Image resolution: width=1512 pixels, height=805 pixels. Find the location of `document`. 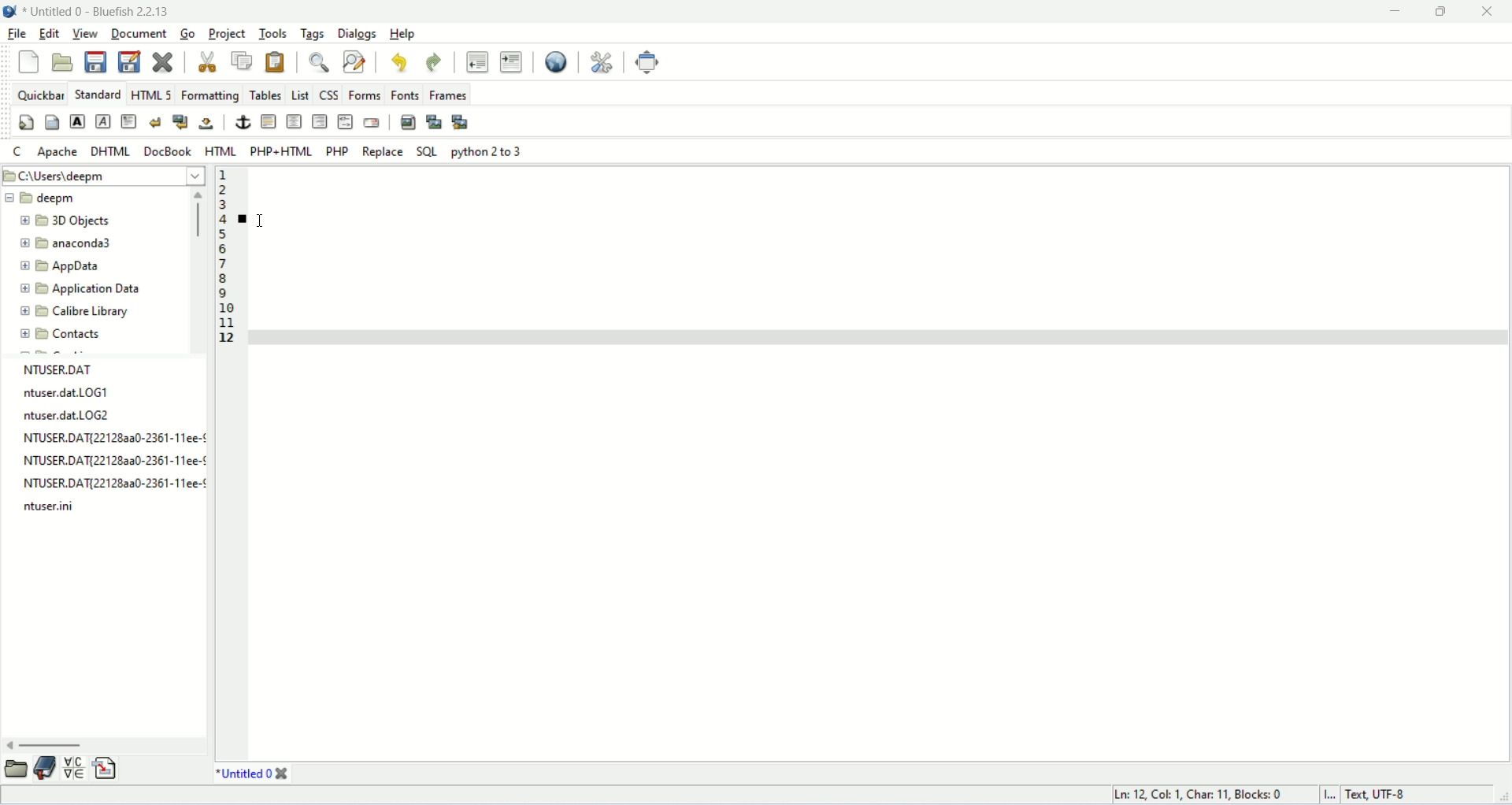

document is located at coordinates (139, 33).